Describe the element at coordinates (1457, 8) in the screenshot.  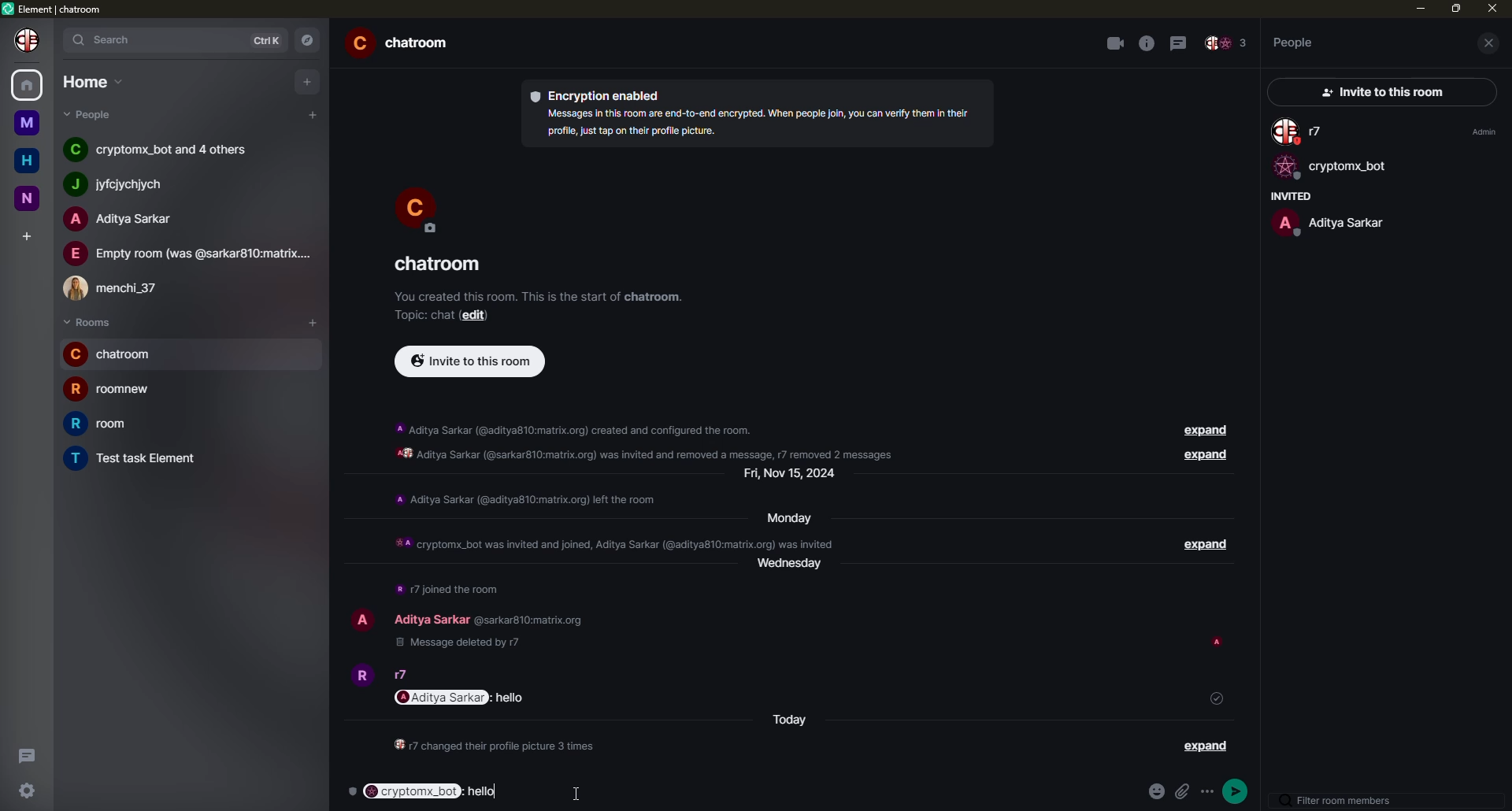
I see `max` at that location.